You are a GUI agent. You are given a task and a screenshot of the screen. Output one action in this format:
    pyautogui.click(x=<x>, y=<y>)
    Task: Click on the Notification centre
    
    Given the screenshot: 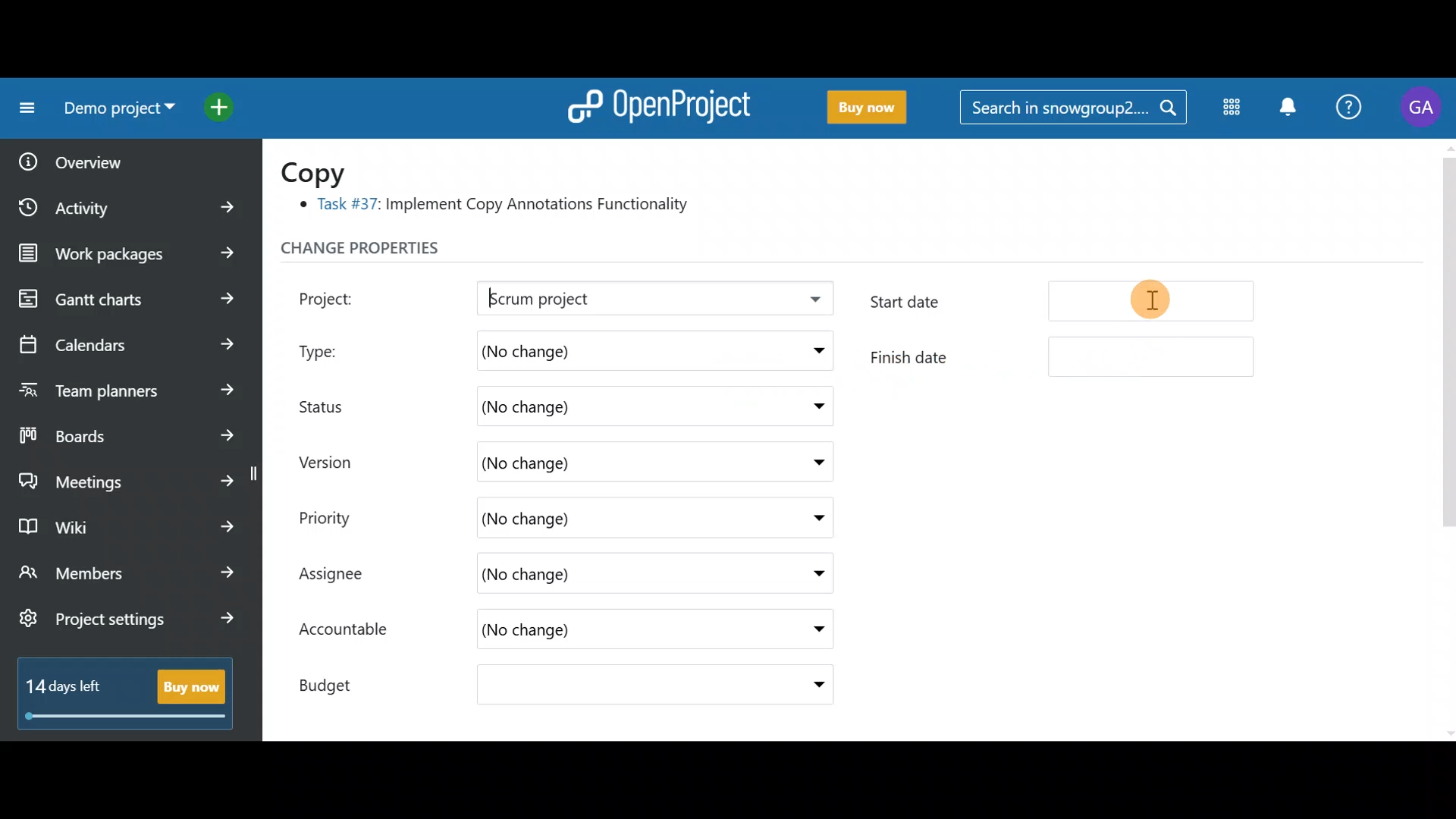 What is the action you would take?
    pyautogui.click(x=1287, y=108)
    